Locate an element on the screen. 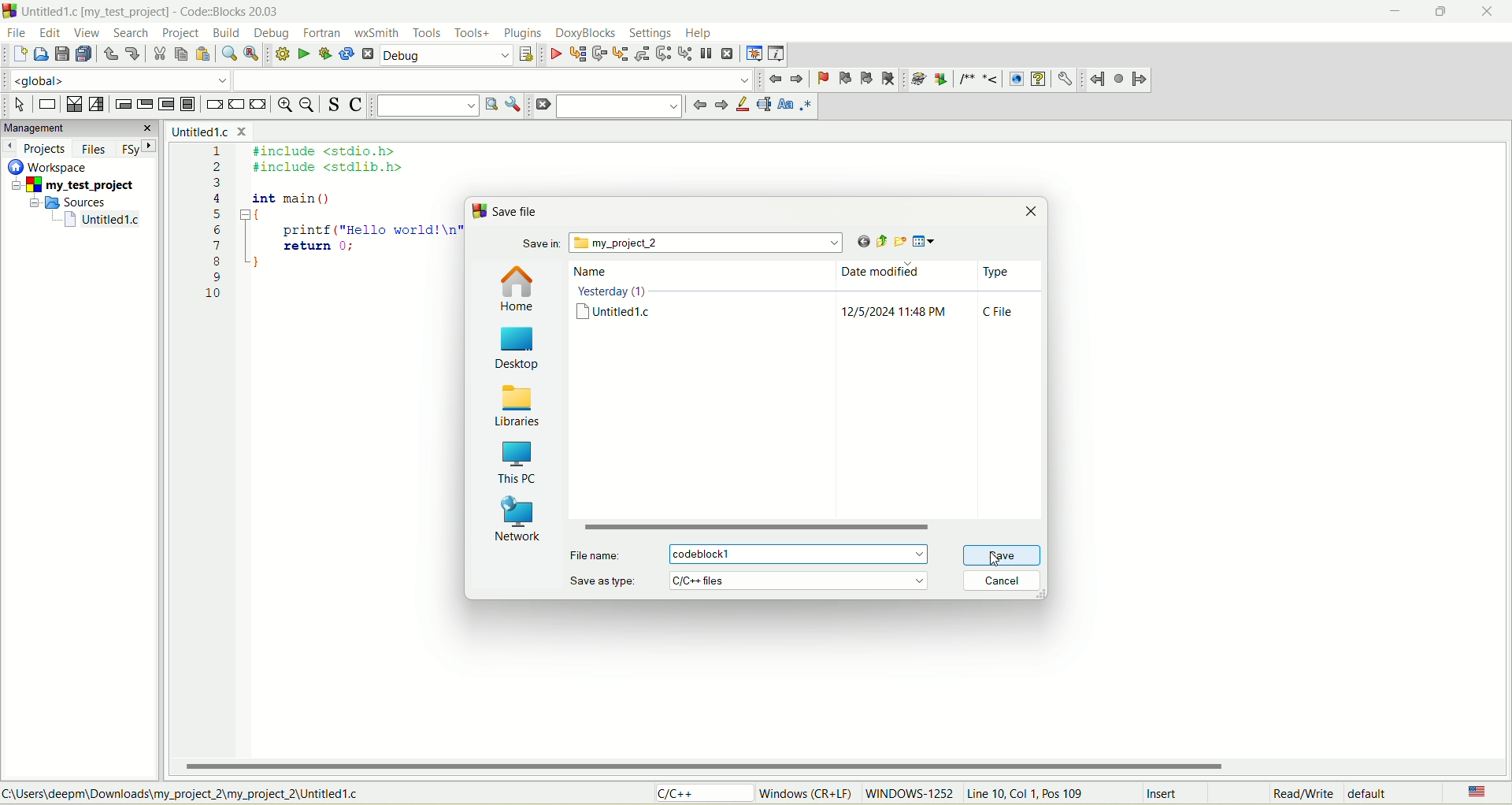  cancel is located at coordinates (1001, 583).